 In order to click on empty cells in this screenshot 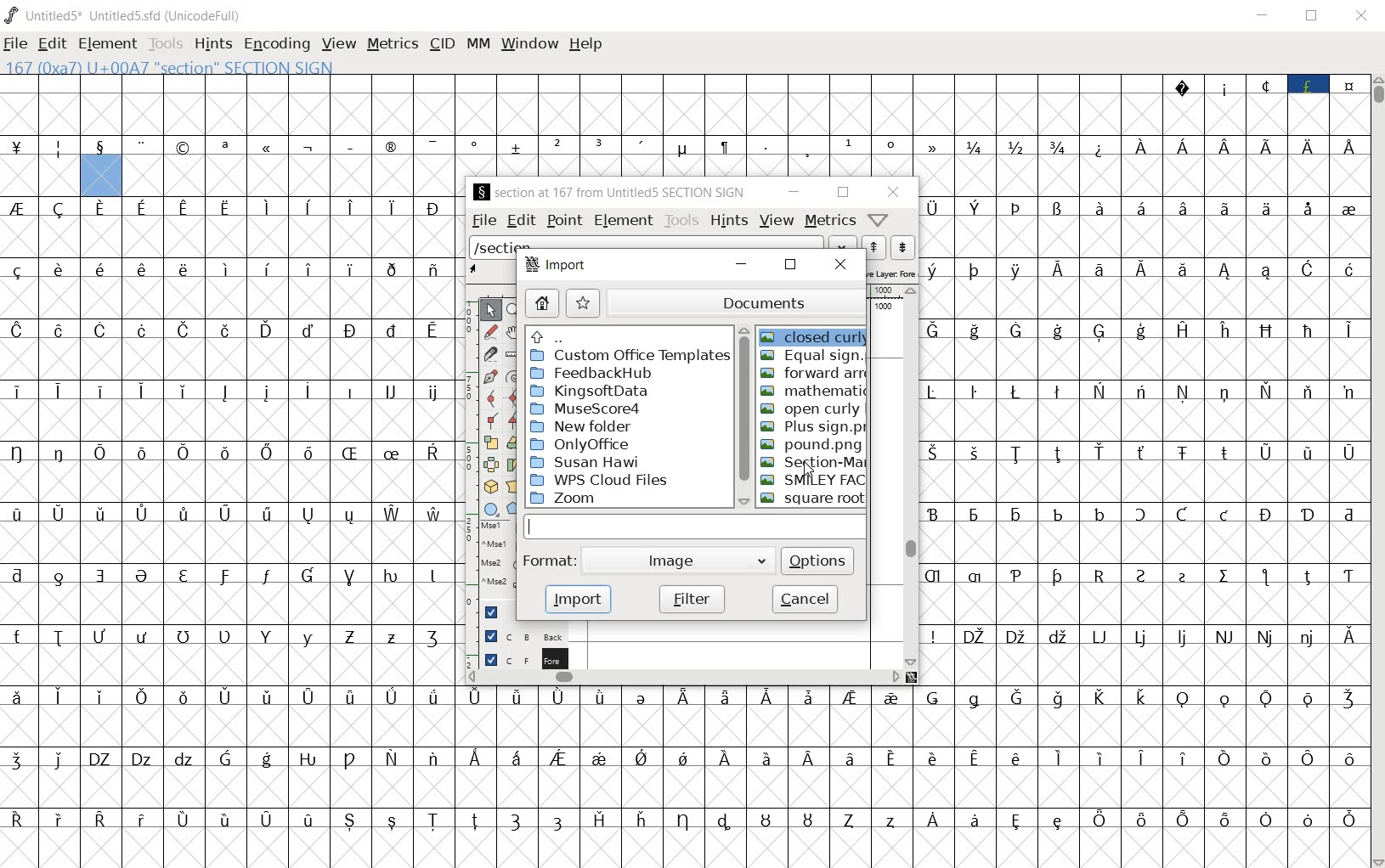, I will do `click(686, 724)`.